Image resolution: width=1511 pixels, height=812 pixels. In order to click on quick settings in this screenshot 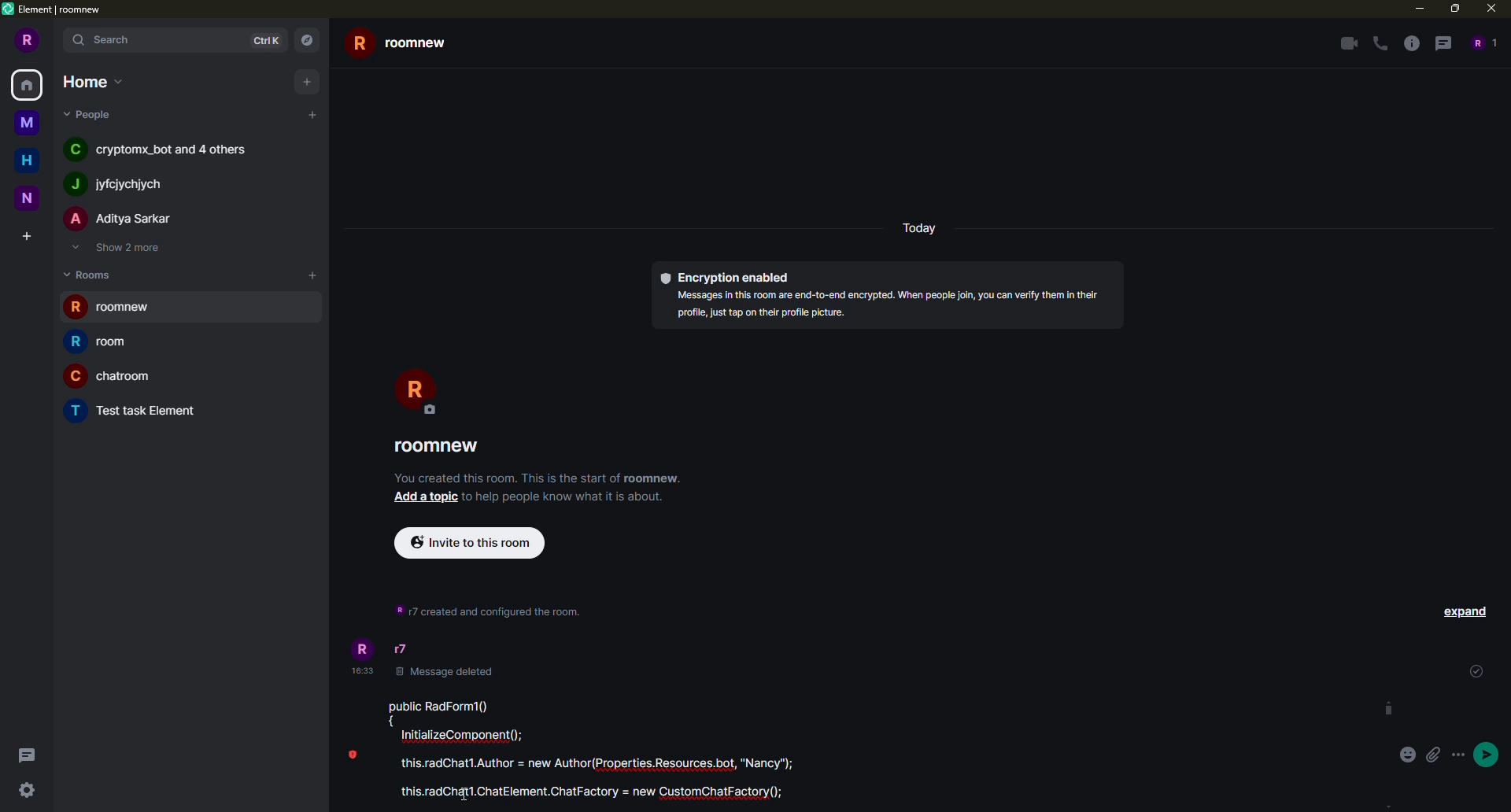, I will do `click(28, 792)`.